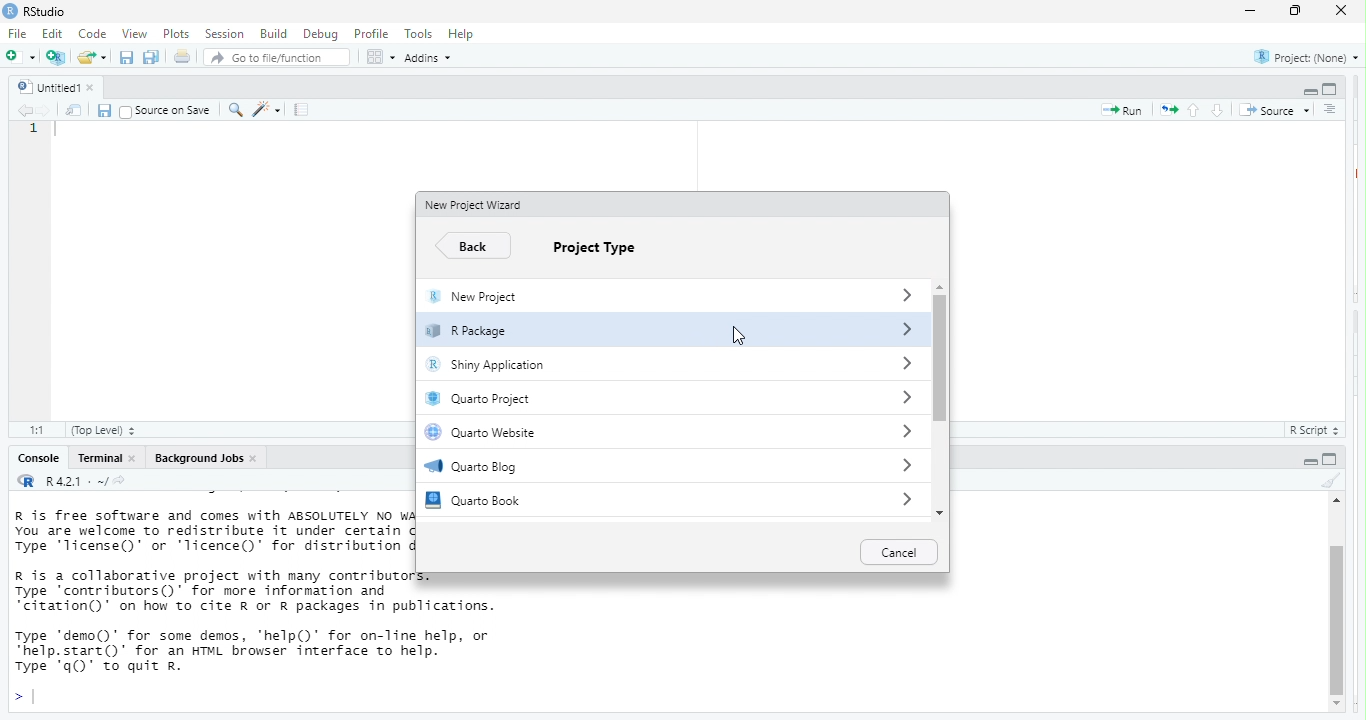  Describe the element at coordinates (45, 109) in the screenshot. I see `go forward to the next source location` at that location.